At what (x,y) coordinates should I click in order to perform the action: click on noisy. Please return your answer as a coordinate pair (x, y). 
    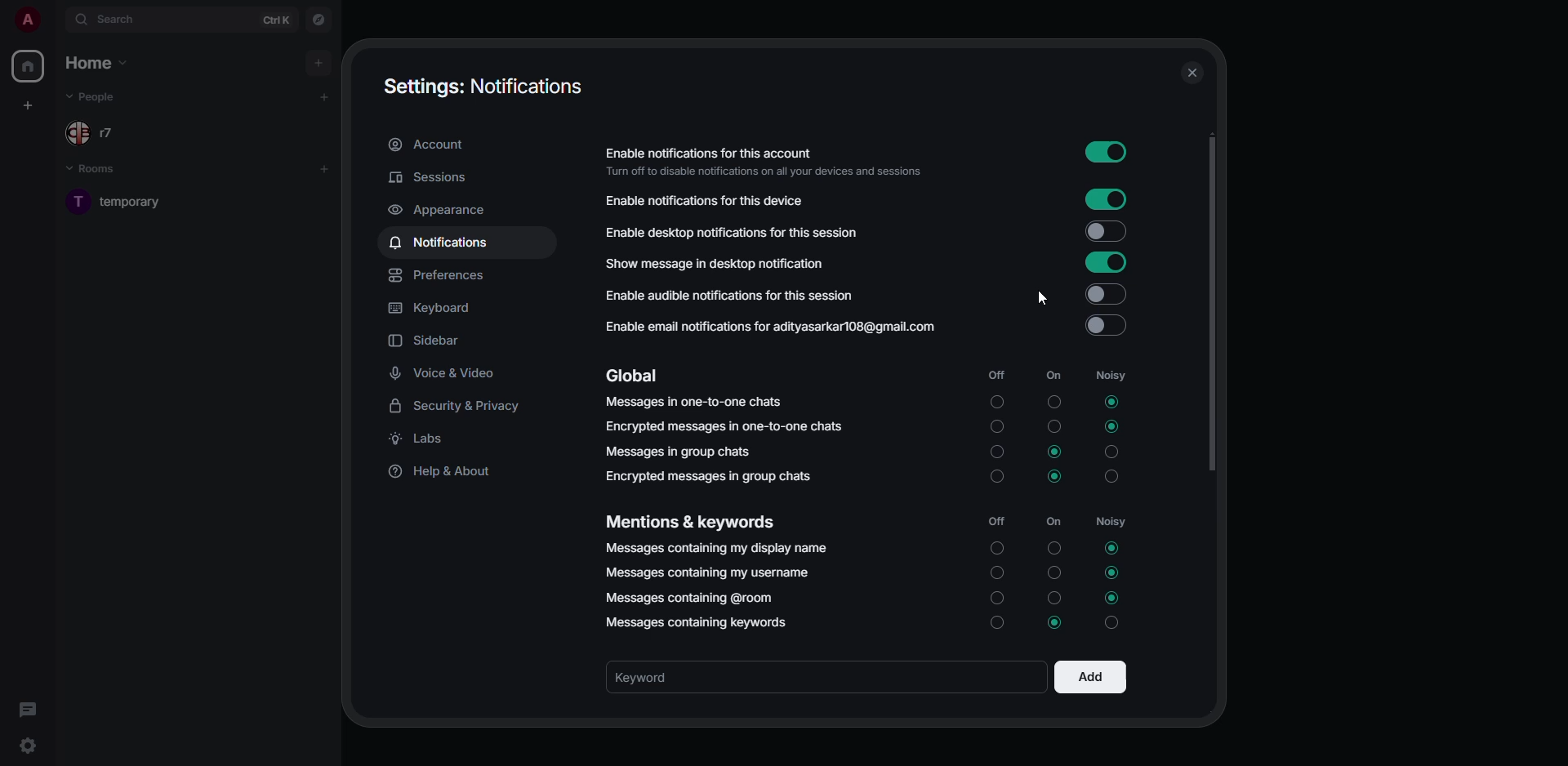
    Looking at the image, I should click on (1113, 522).